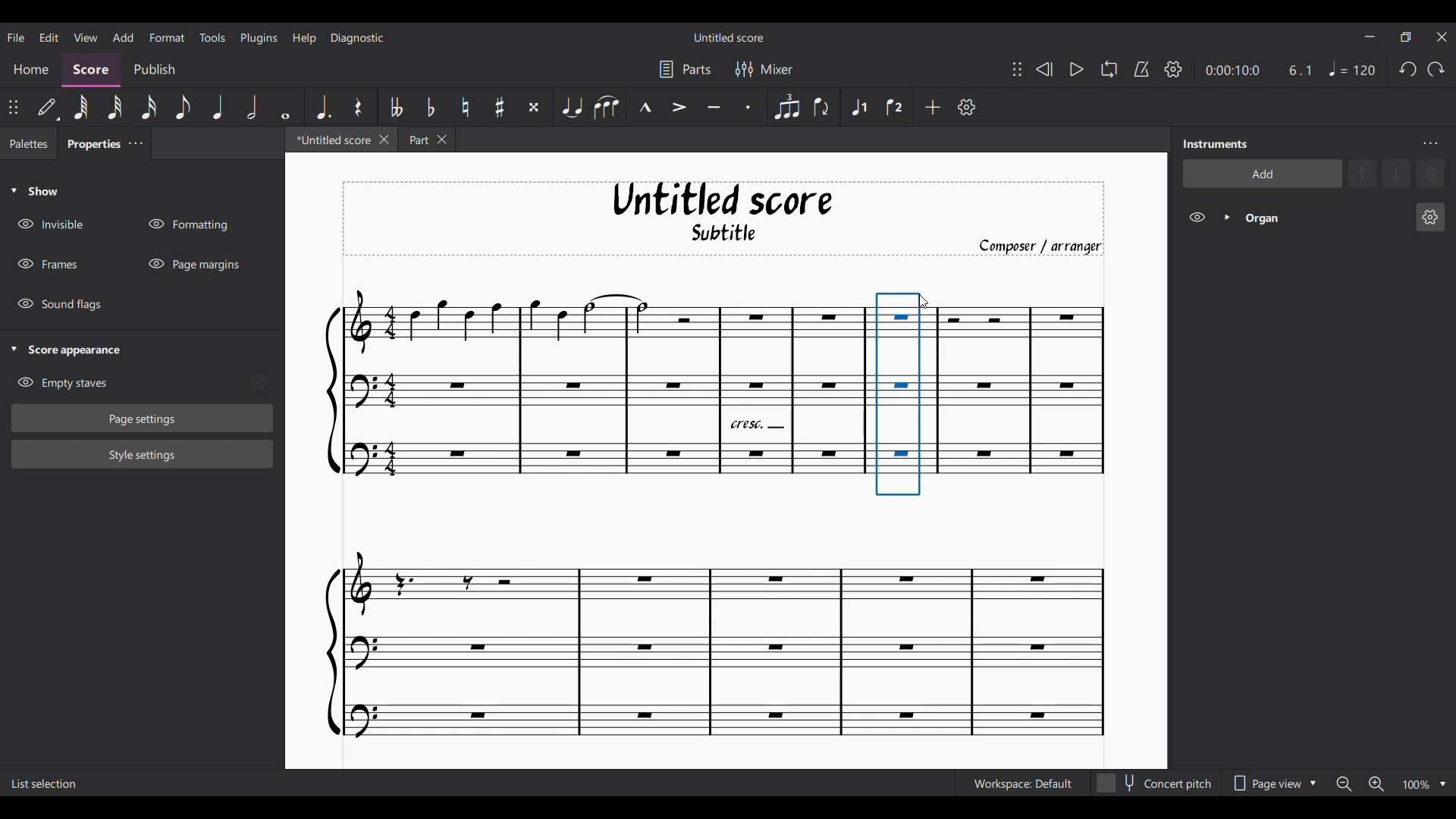 This screenshot has height=819, width=1456. I want to click on Show interface in a smaller tab, so click(1406, 37).